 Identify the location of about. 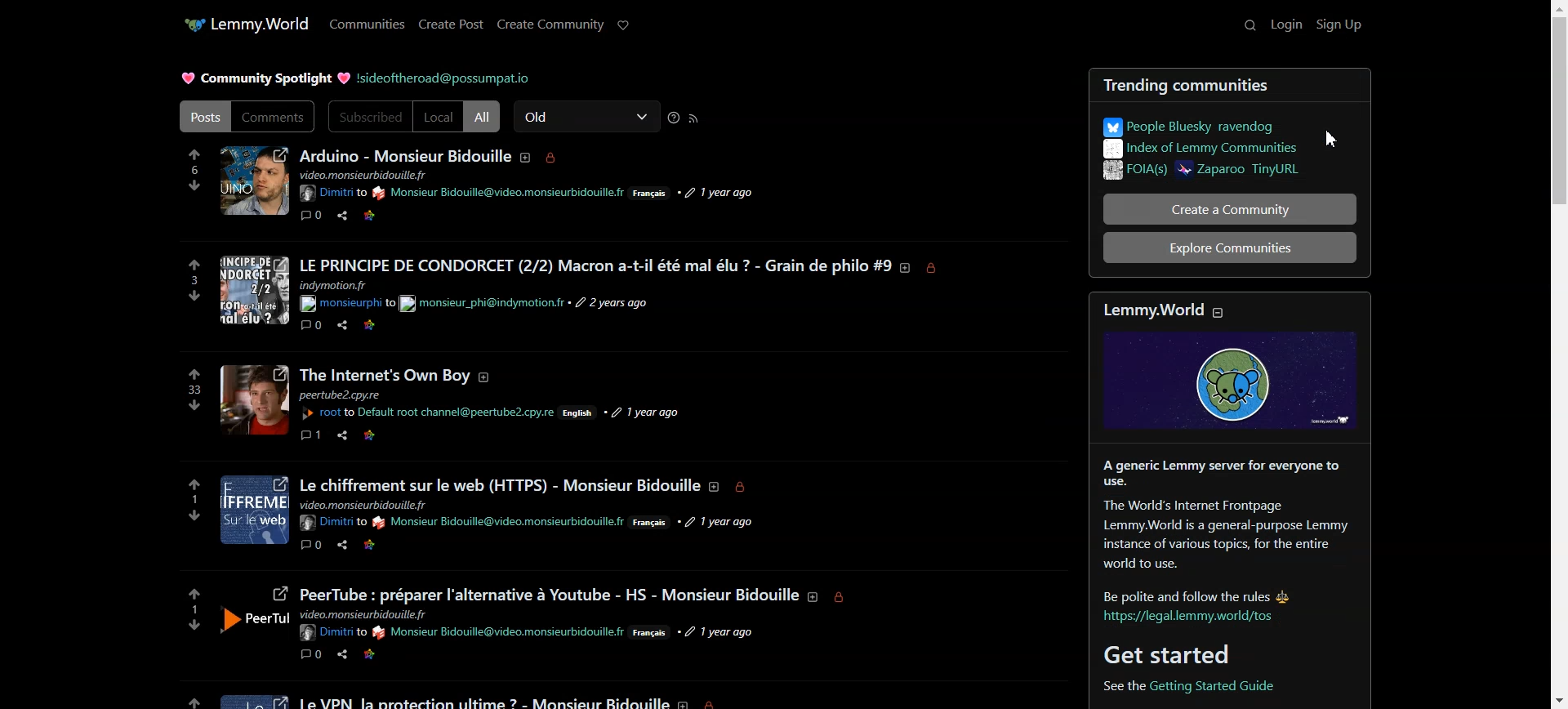
(717, 489).